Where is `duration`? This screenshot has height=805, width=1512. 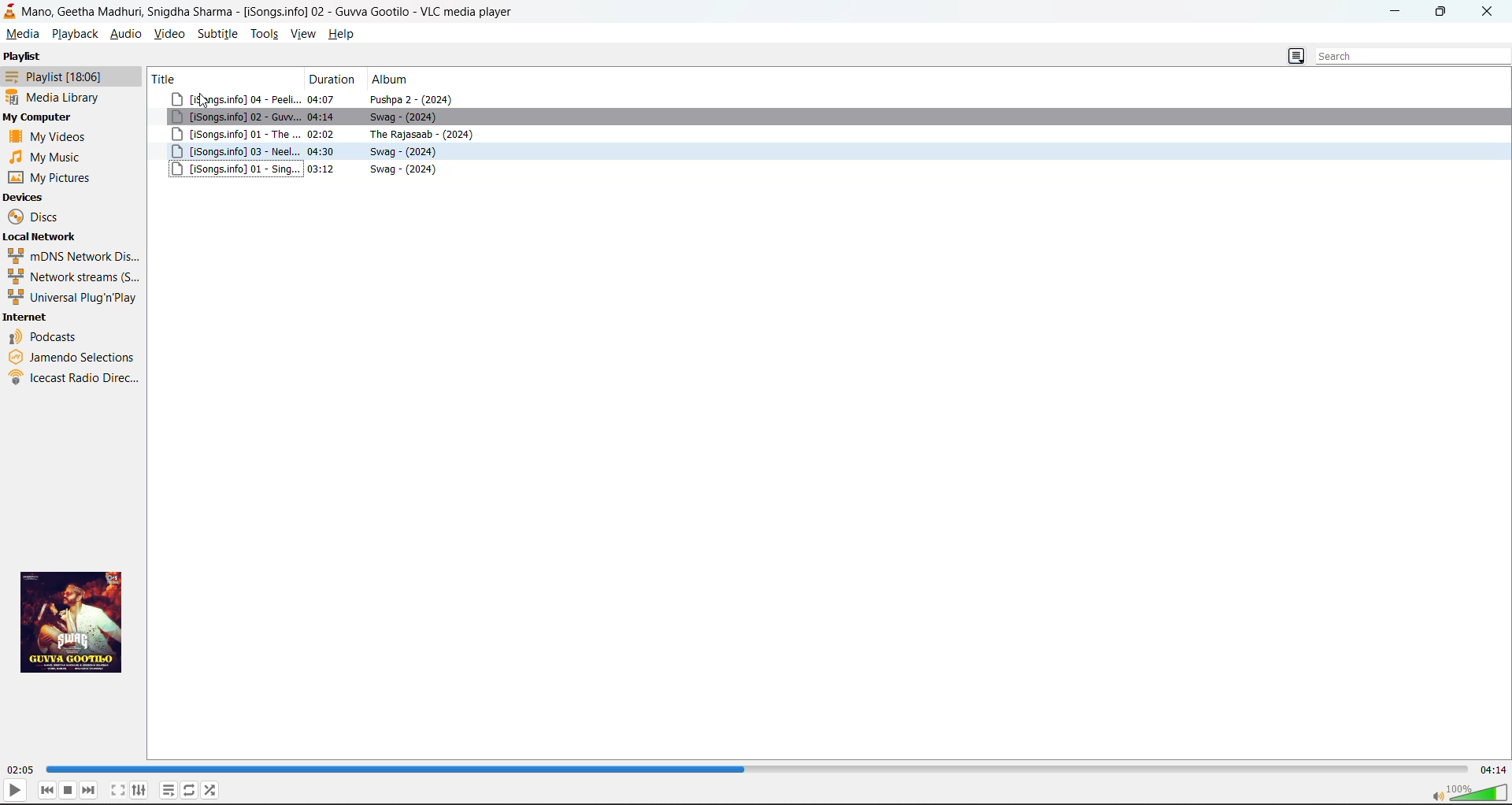
duration is located at coordinates (334, 80).